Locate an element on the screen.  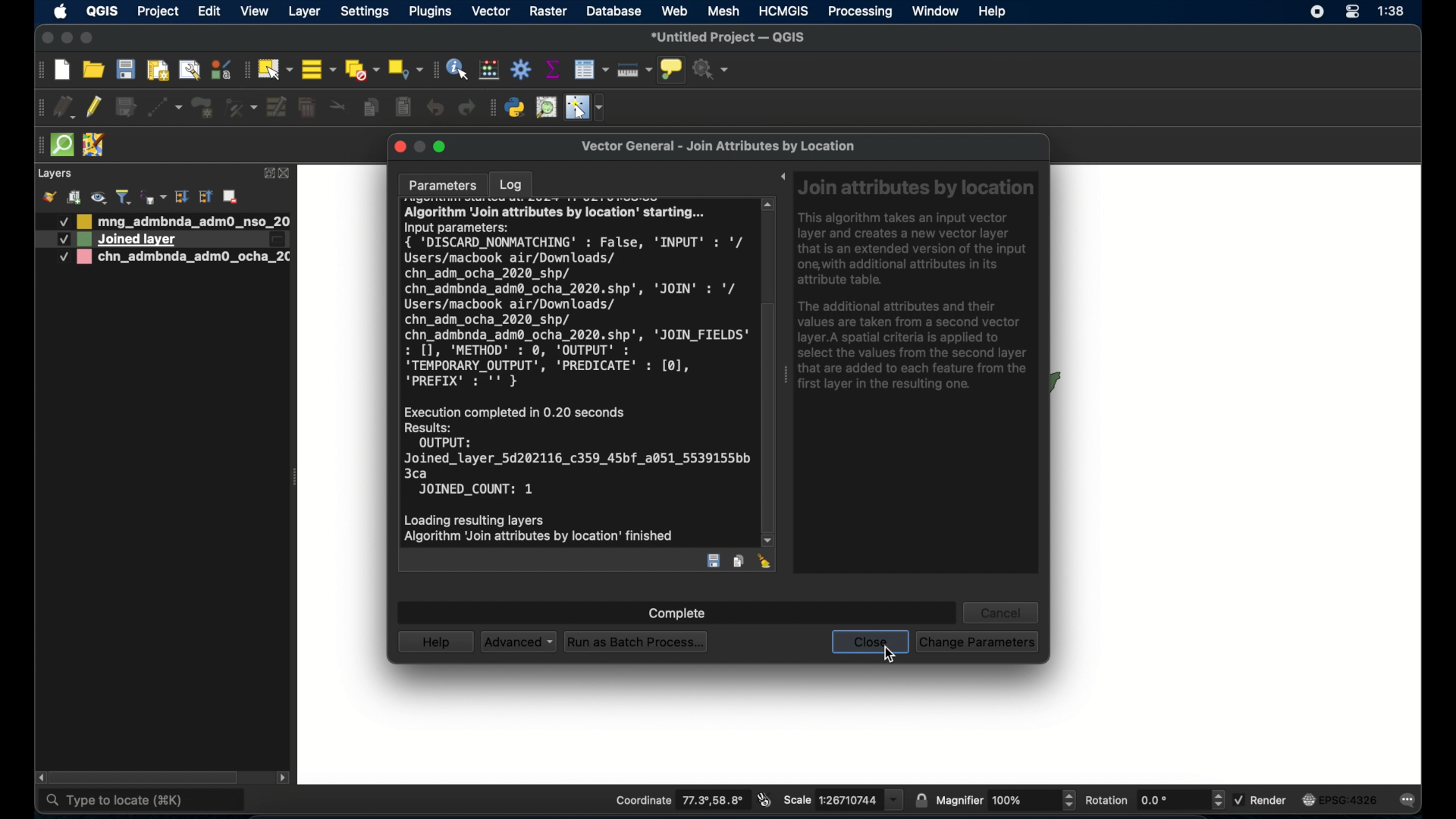
select features by area or single click is located at coordinates (274, 69).